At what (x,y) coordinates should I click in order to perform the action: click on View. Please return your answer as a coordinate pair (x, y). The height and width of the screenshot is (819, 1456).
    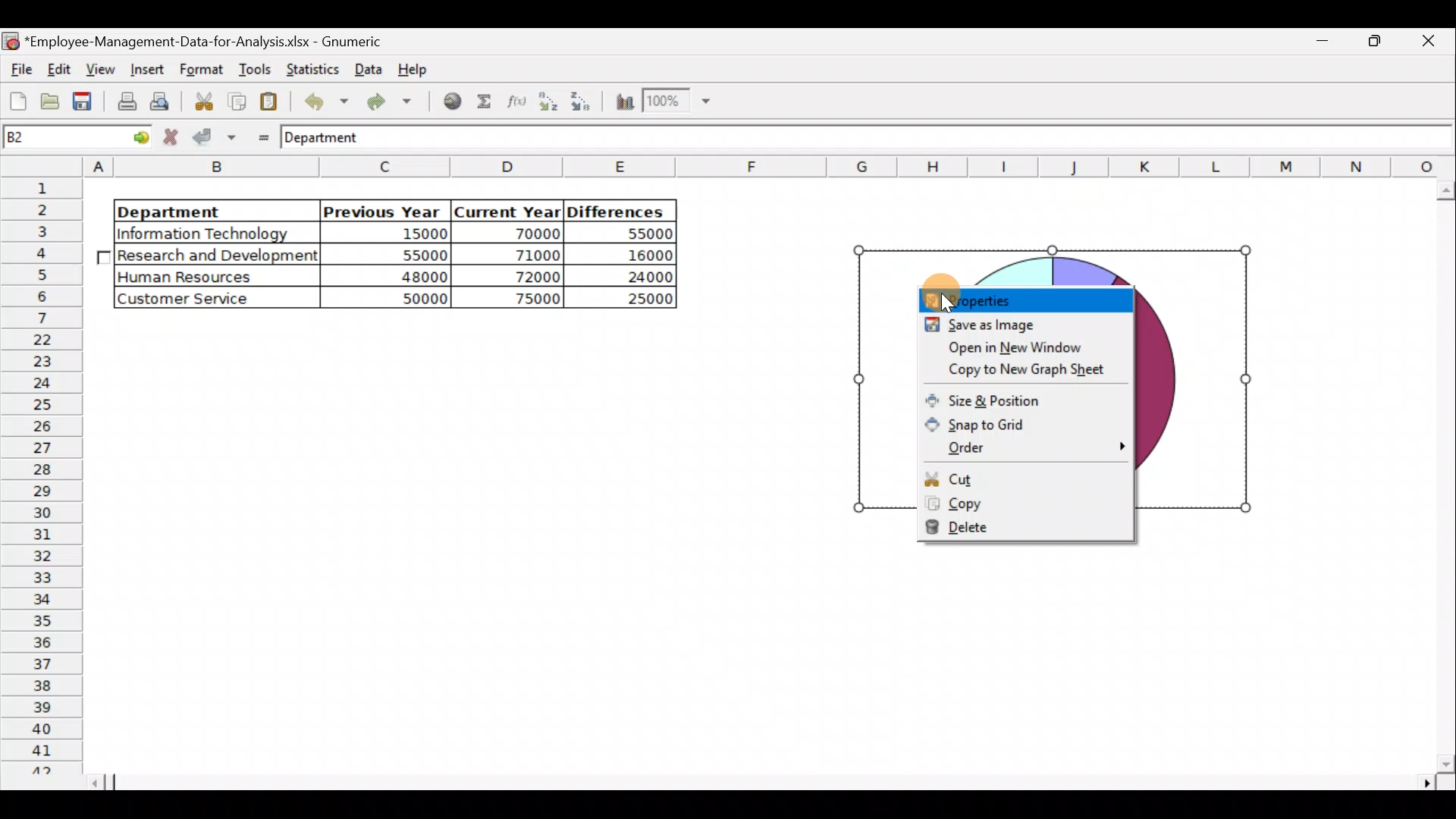
    Looking at the image, I should click on (103, 67).